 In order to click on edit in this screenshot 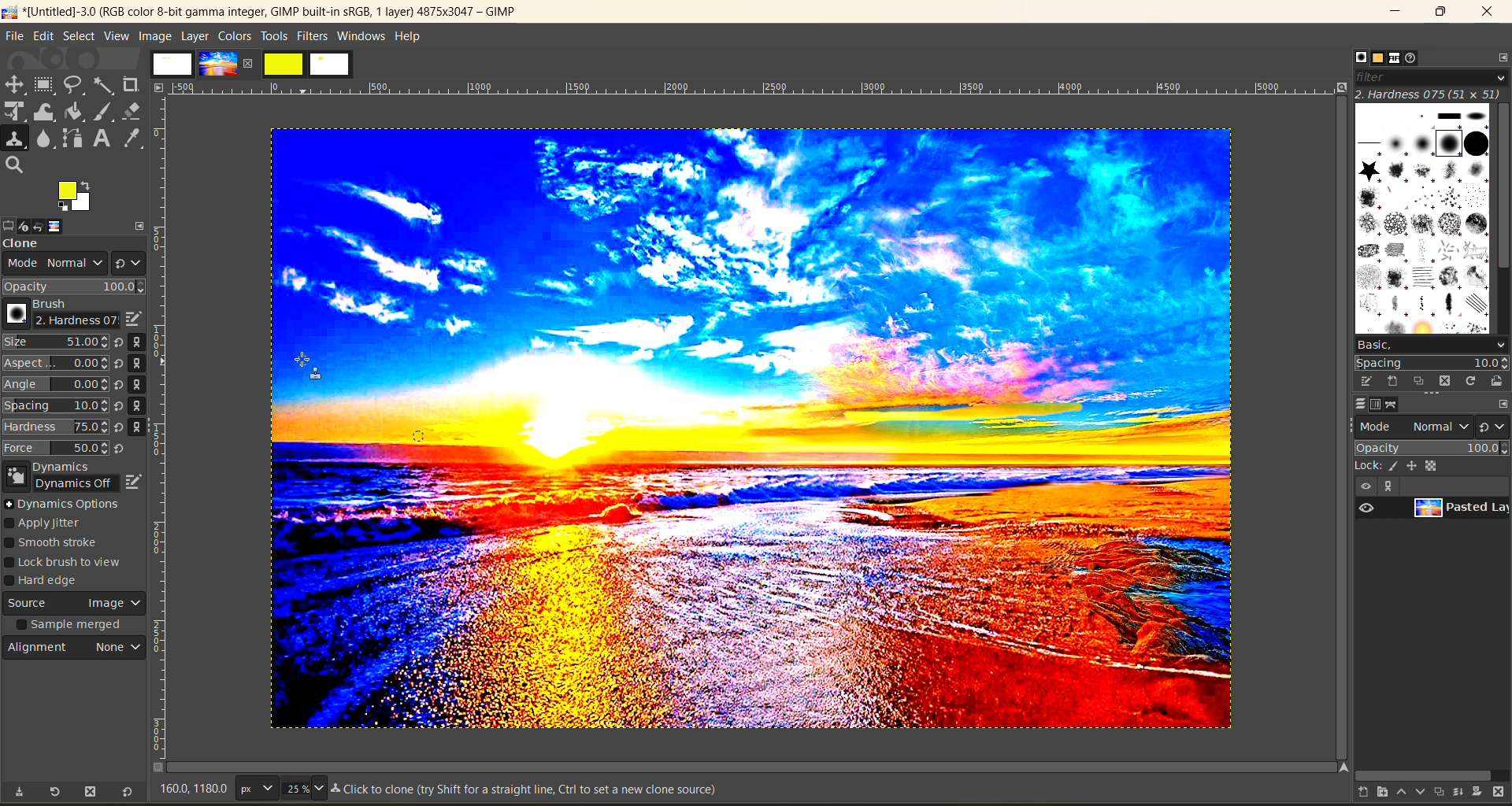, I will do `click(43, 35)`.